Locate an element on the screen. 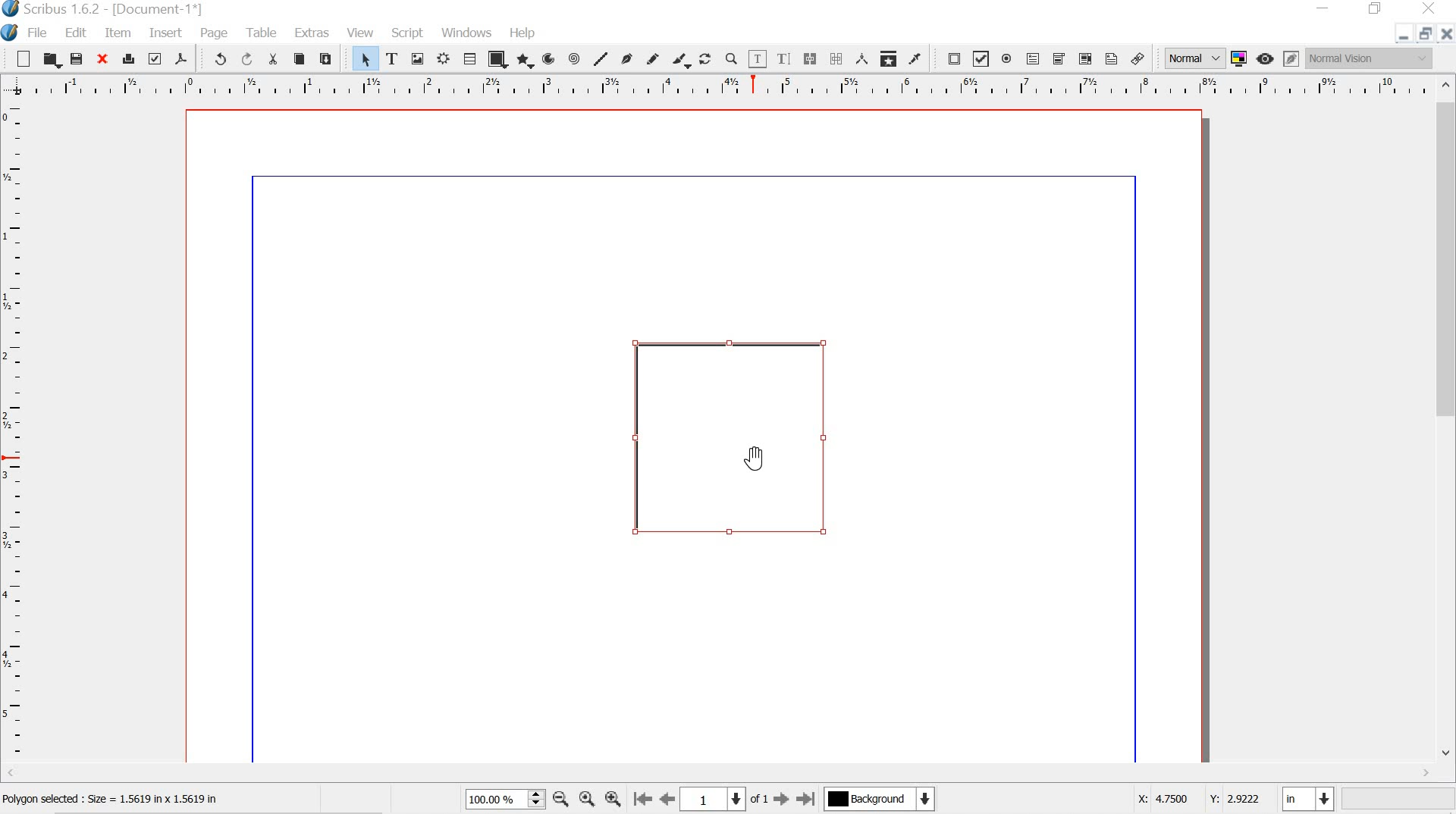 This screenshot has width=1456, height=814. go to first page is located at coordinates (644, 801).